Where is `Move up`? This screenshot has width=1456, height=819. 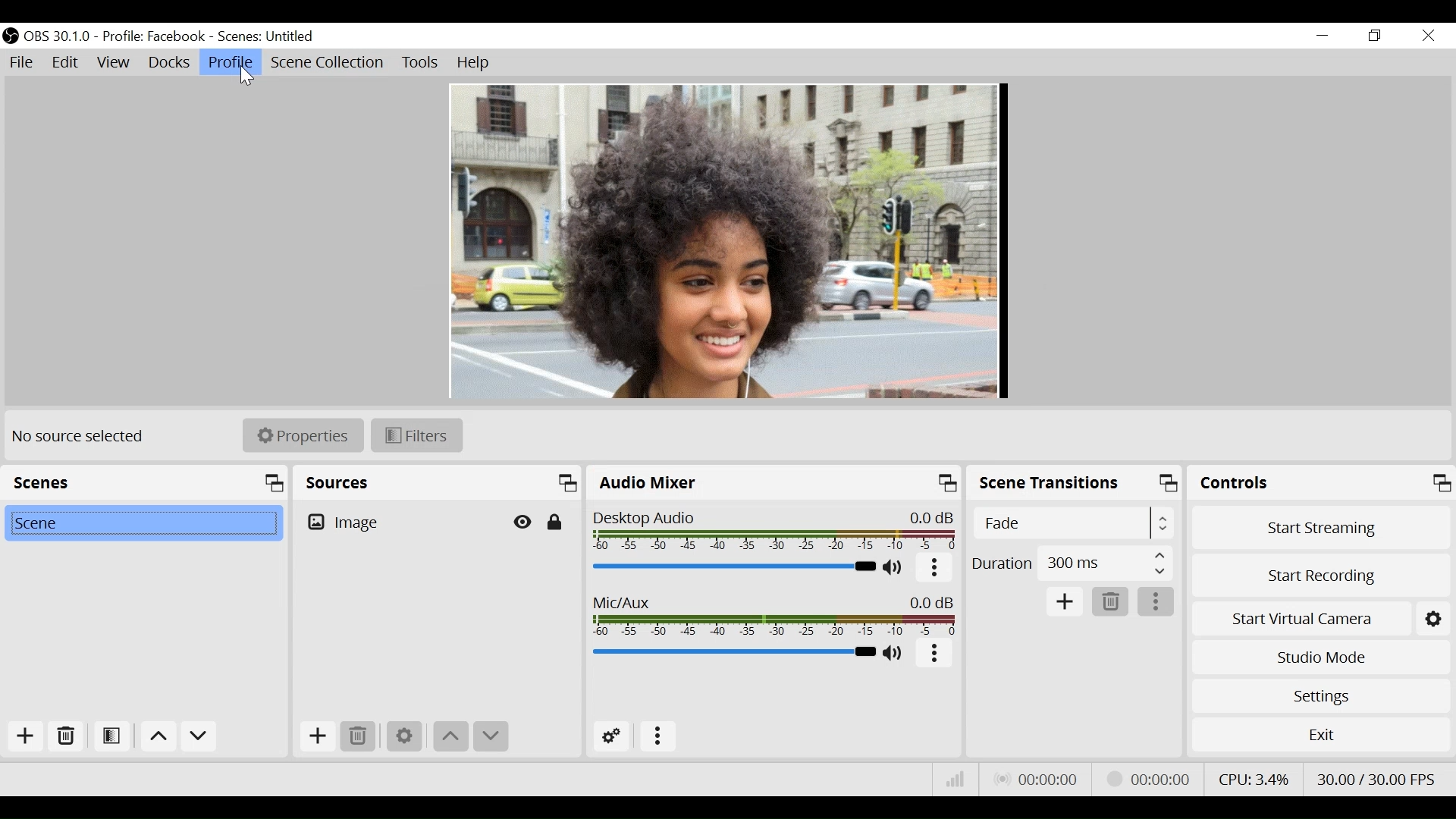
Move up is located at coordinates (450, 736).